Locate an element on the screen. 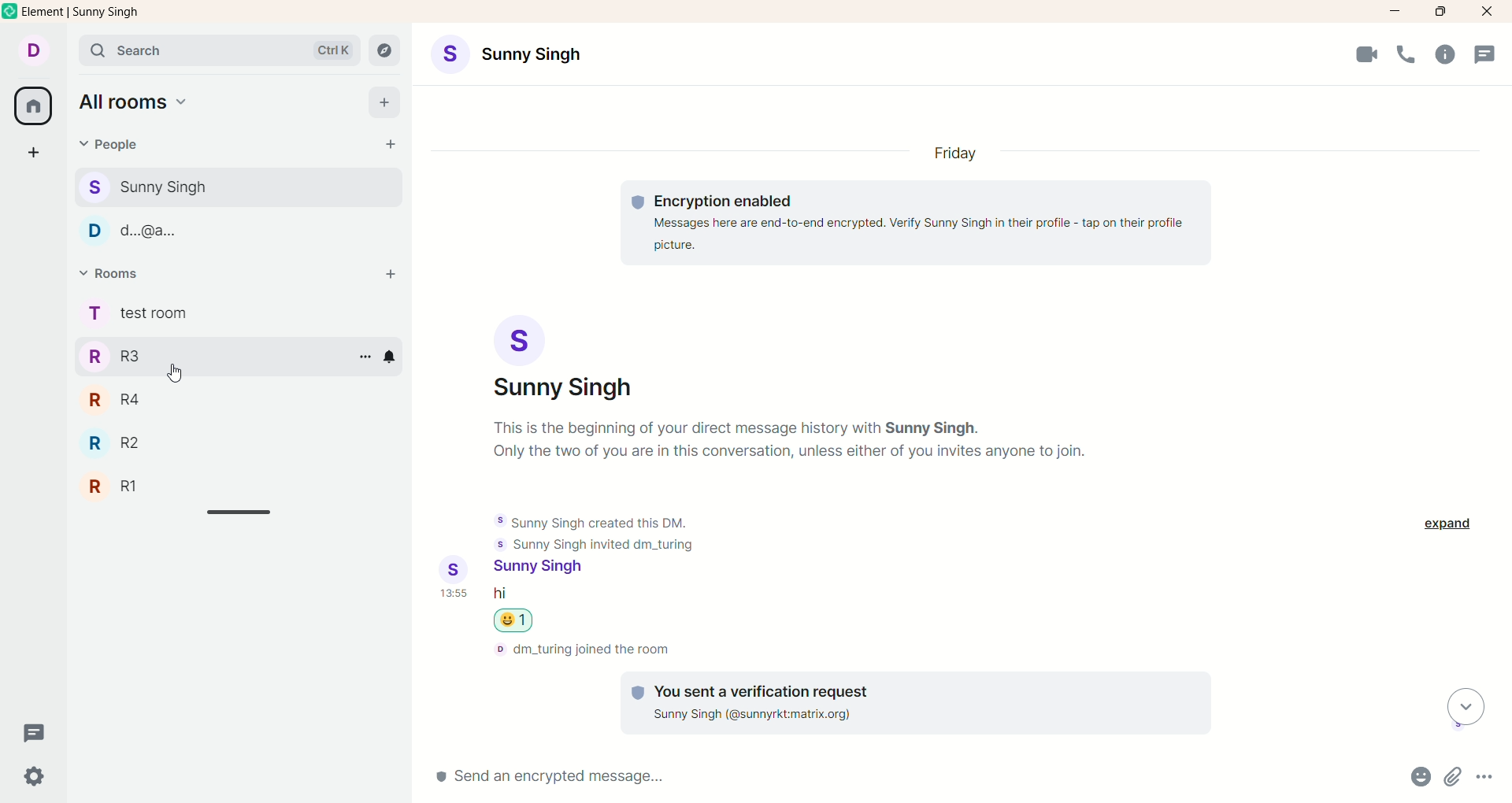 The image size is (1512, 803). explore rooms is located at coordinates (385, 52).